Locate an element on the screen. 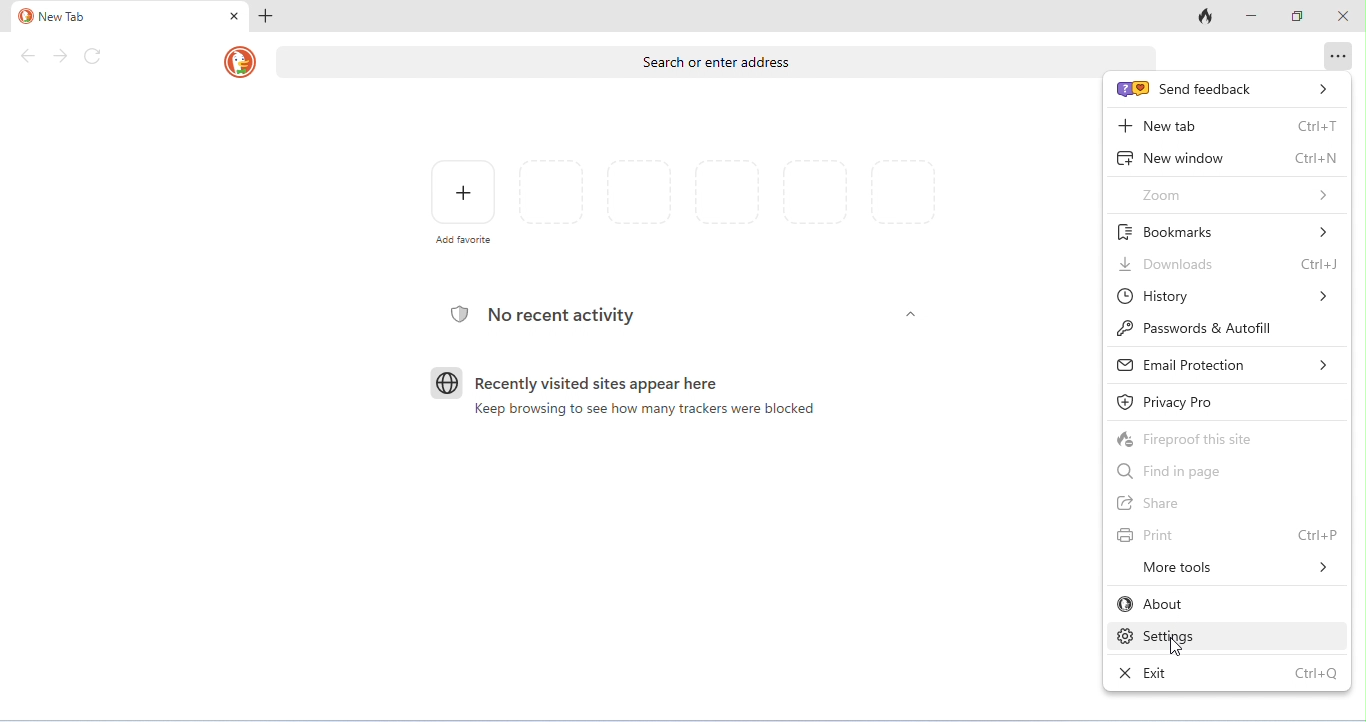  zoom is located at coordinates (1226, 195).